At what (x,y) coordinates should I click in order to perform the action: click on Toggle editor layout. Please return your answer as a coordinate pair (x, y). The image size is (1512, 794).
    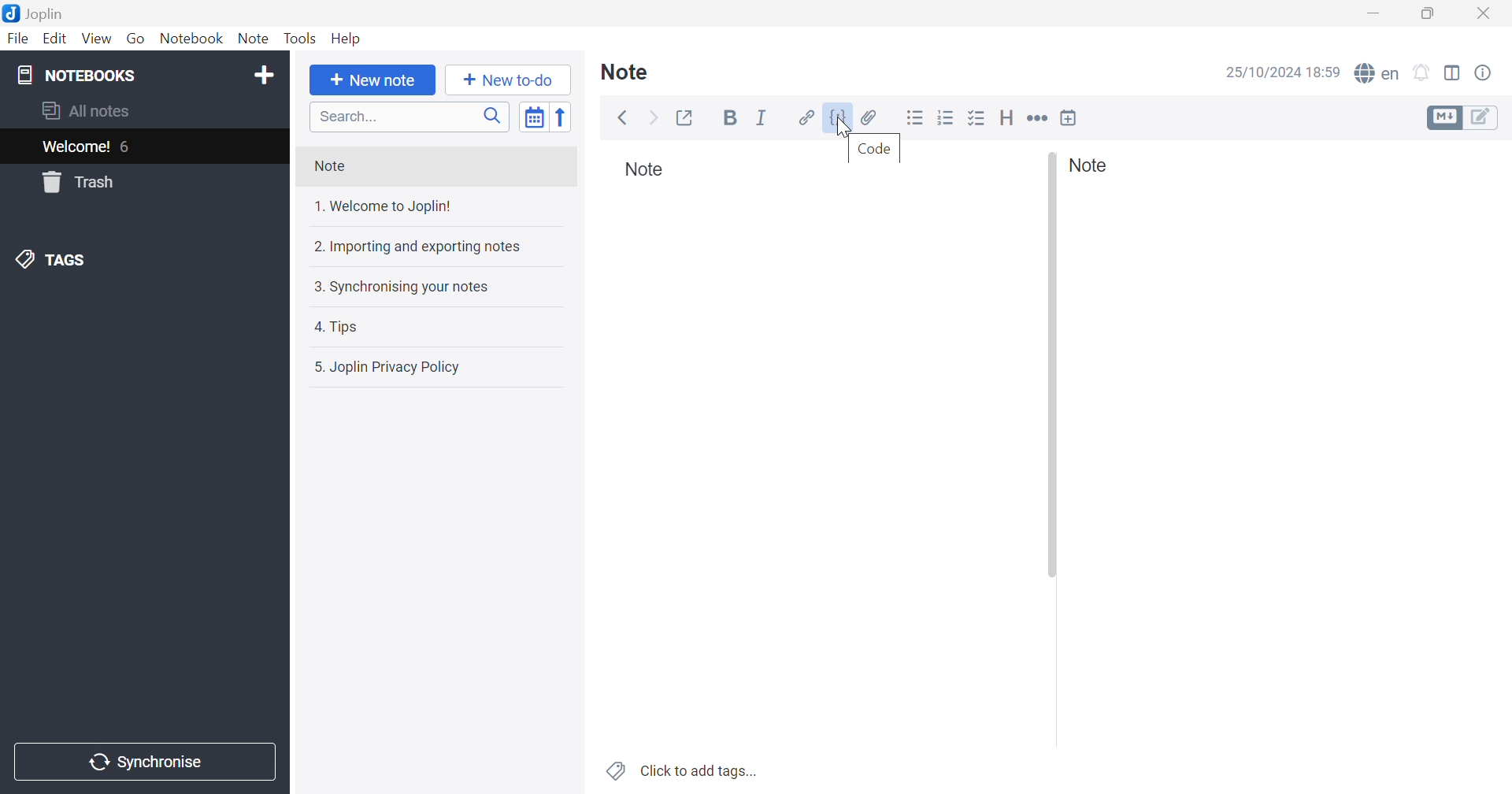
    Looking at the image, I should click on (1454, 76).